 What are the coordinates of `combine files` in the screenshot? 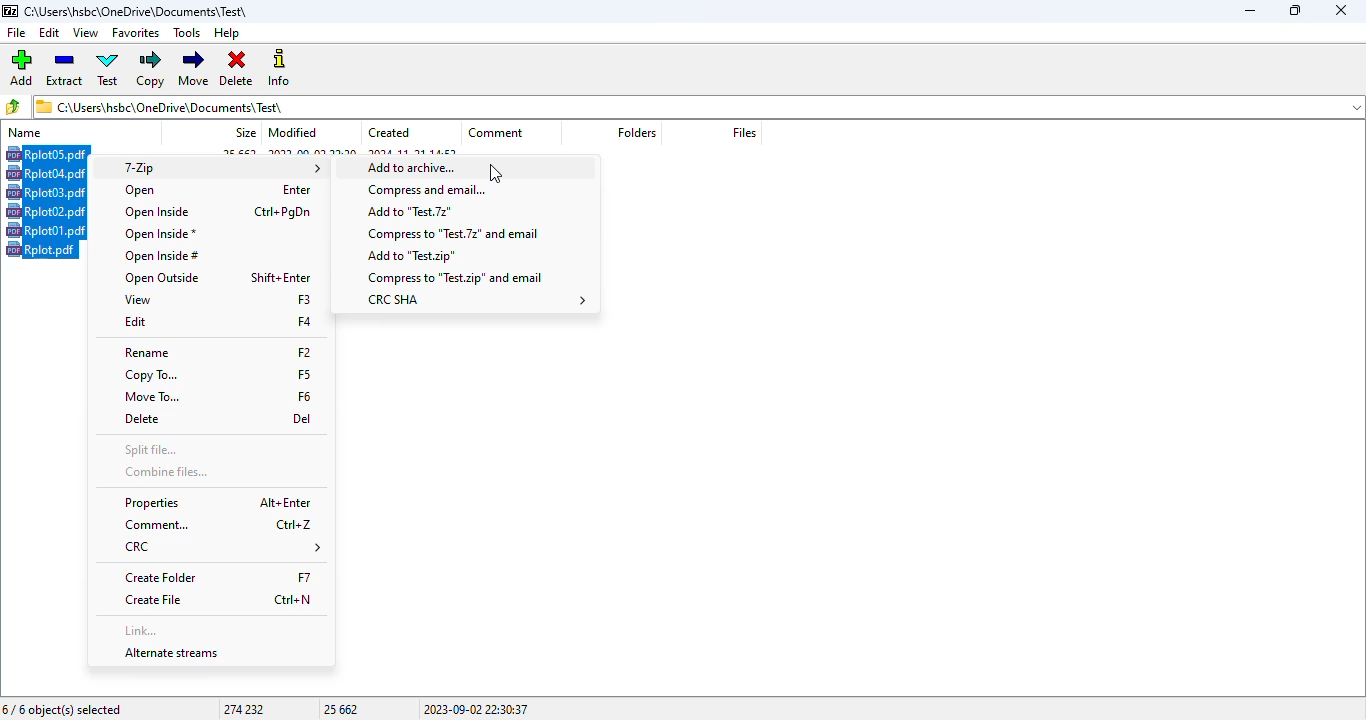 It's located at (166, 471).